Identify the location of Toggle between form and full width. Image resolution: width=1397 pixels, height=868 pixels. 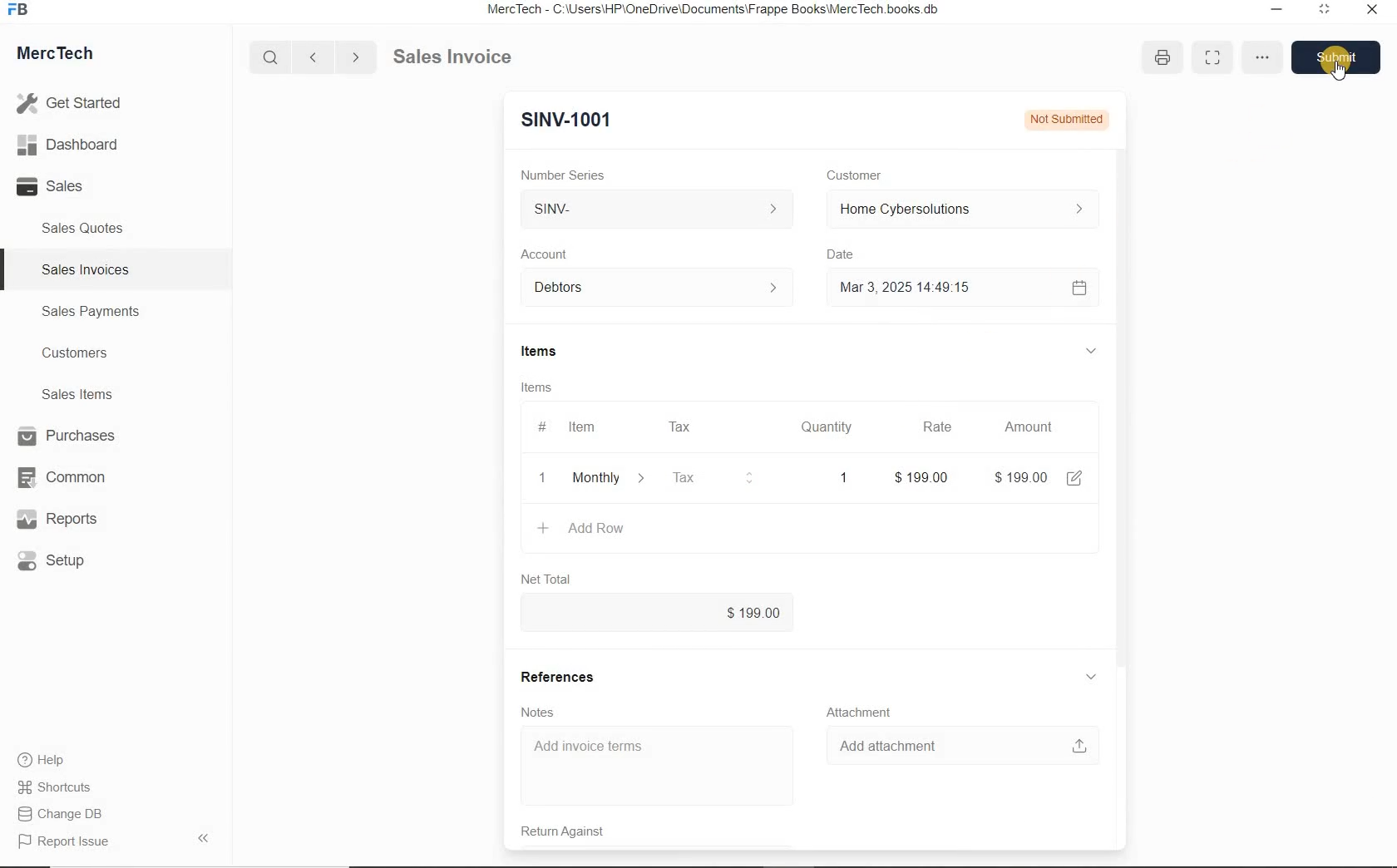
(1209, 58).